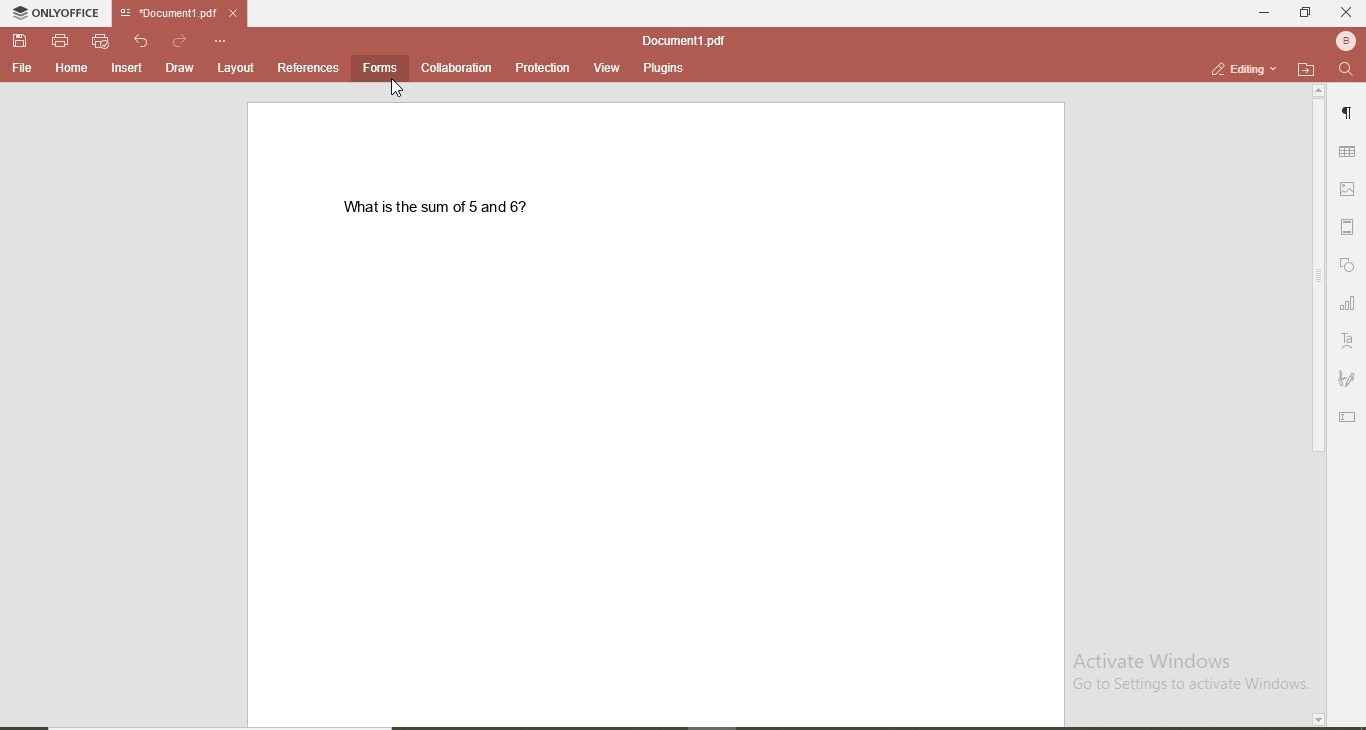  Describe the element at coordinates (128, 69) in the screenshot. I see `insert` at that location.